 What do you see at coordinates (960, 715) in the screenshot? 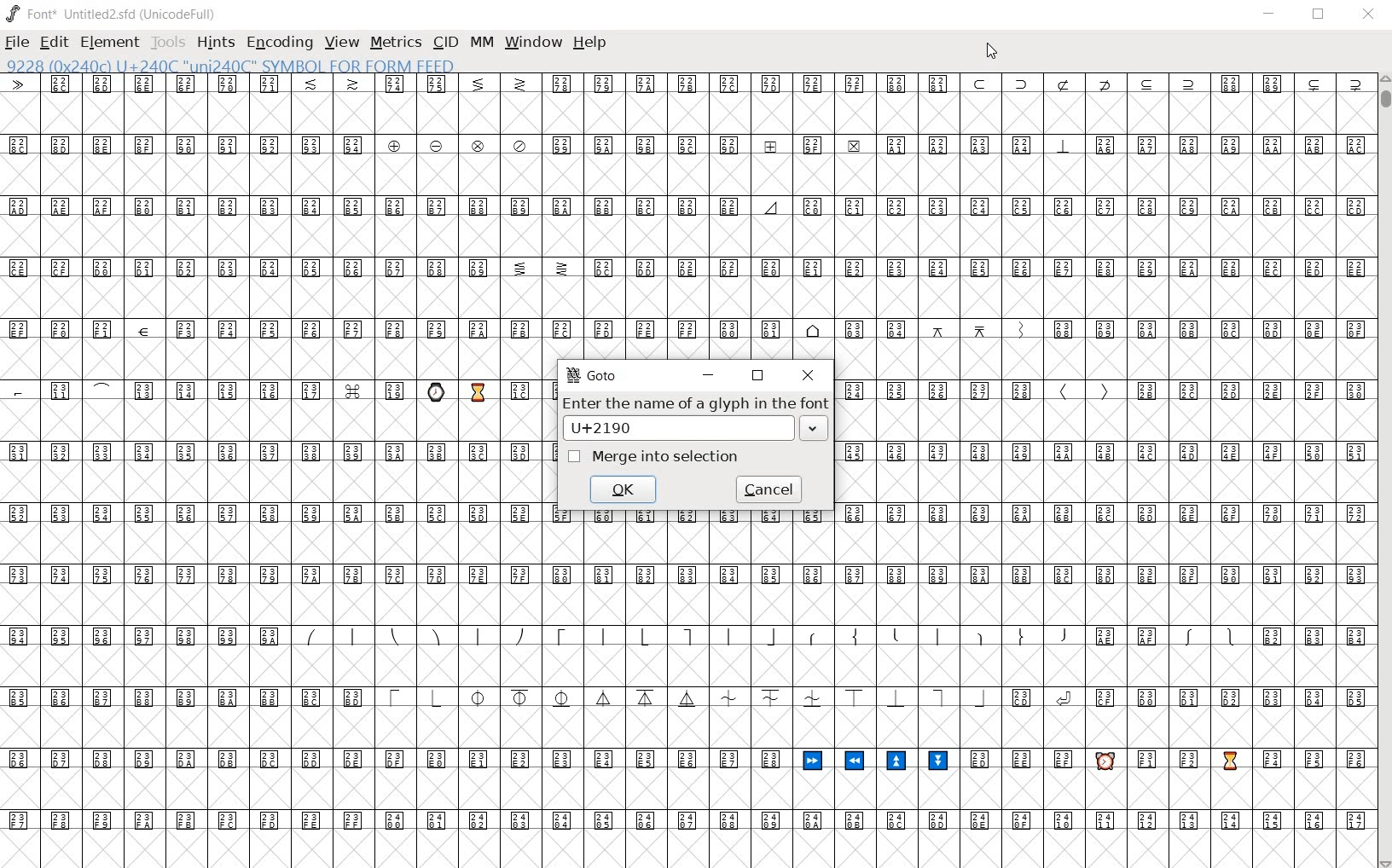
I see `glyphs characters` at bounding box center [960, 715].